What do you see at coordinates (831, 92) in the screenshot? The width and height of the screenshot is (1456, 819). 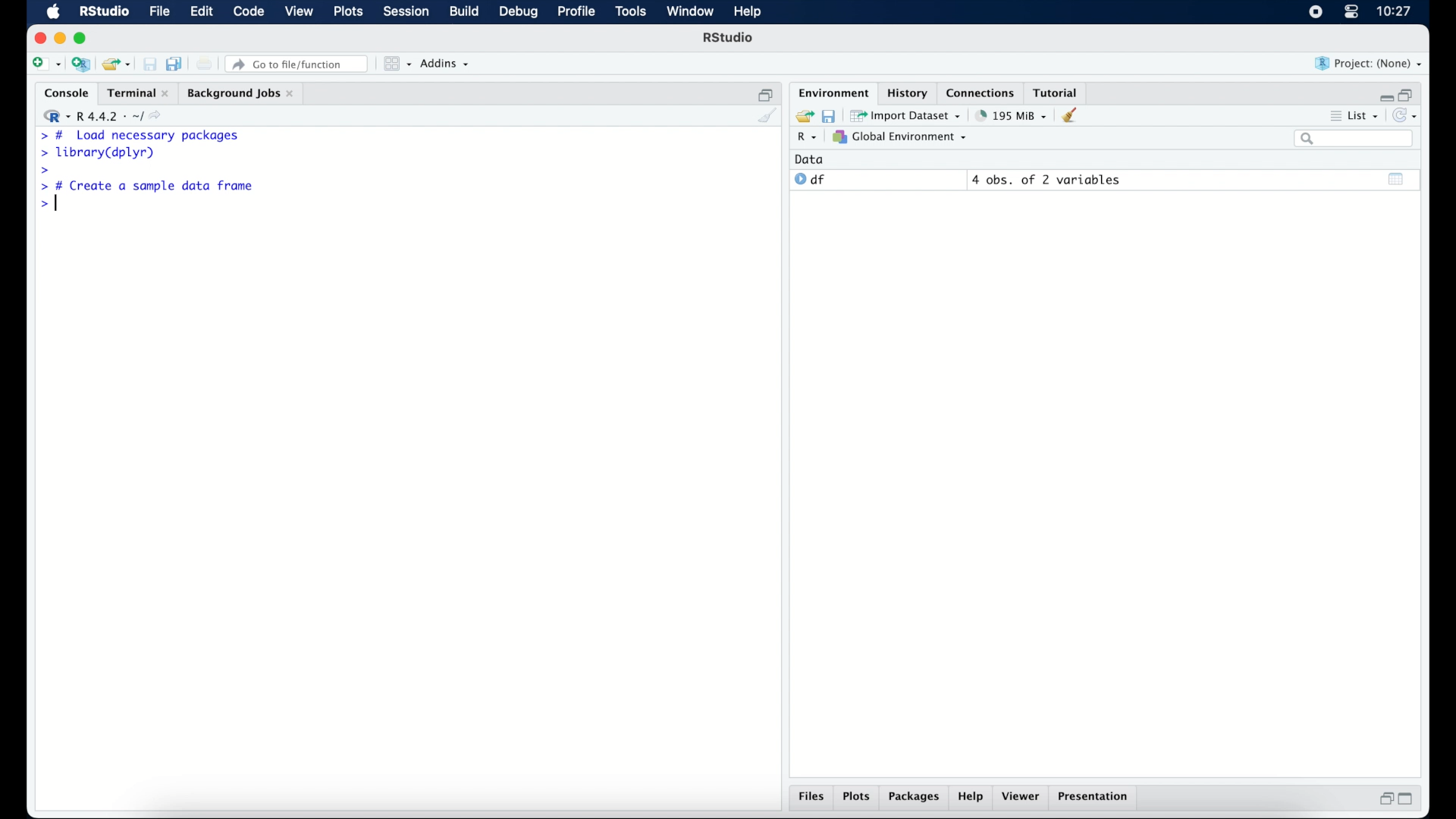 I see `environment` at bounding box center [831, 92].